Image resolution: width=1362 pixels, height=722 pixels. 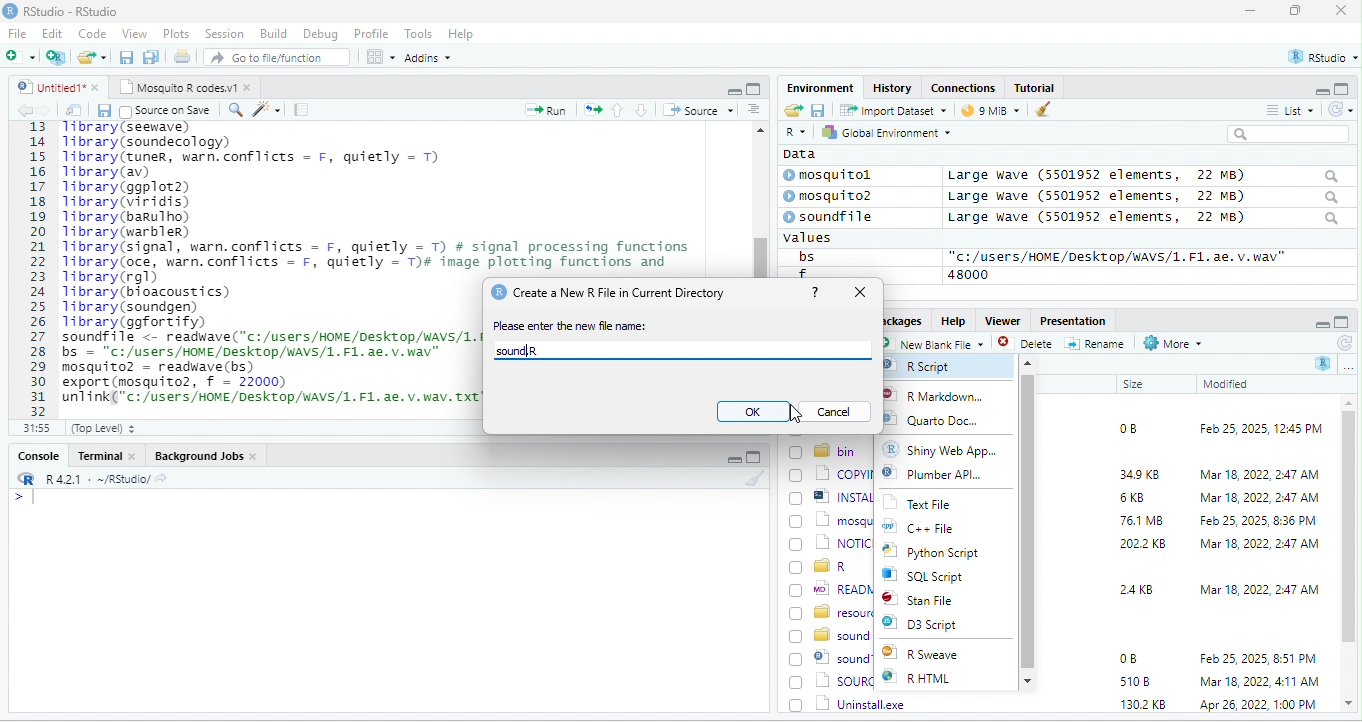 I want to click on open, so click(x=74, y=110).